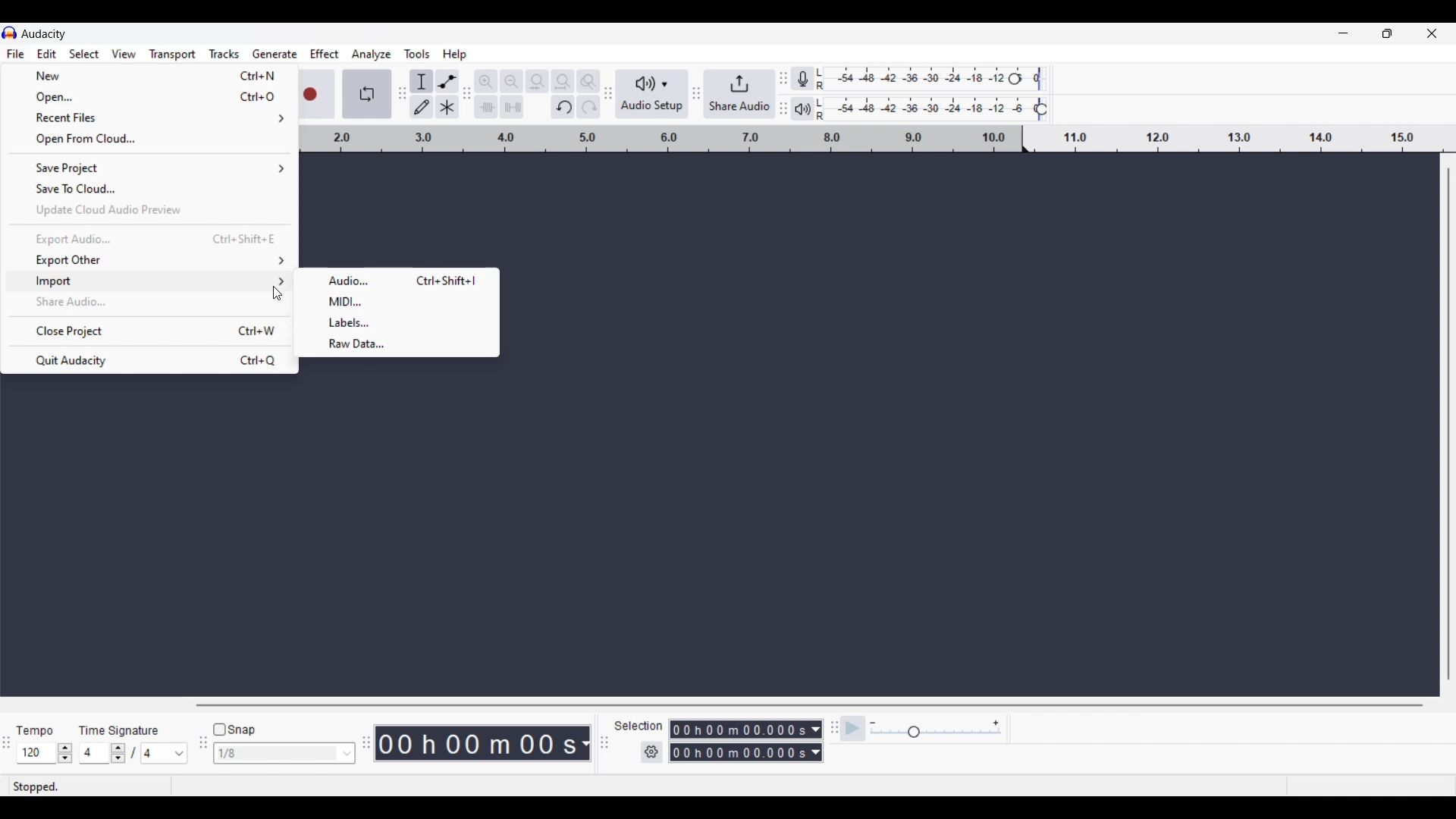 This screenshot has width=1456, height=819. Describe the element at coordinates (149, 76) in the screenshot. I see `New      Ctrl+N` at that location.